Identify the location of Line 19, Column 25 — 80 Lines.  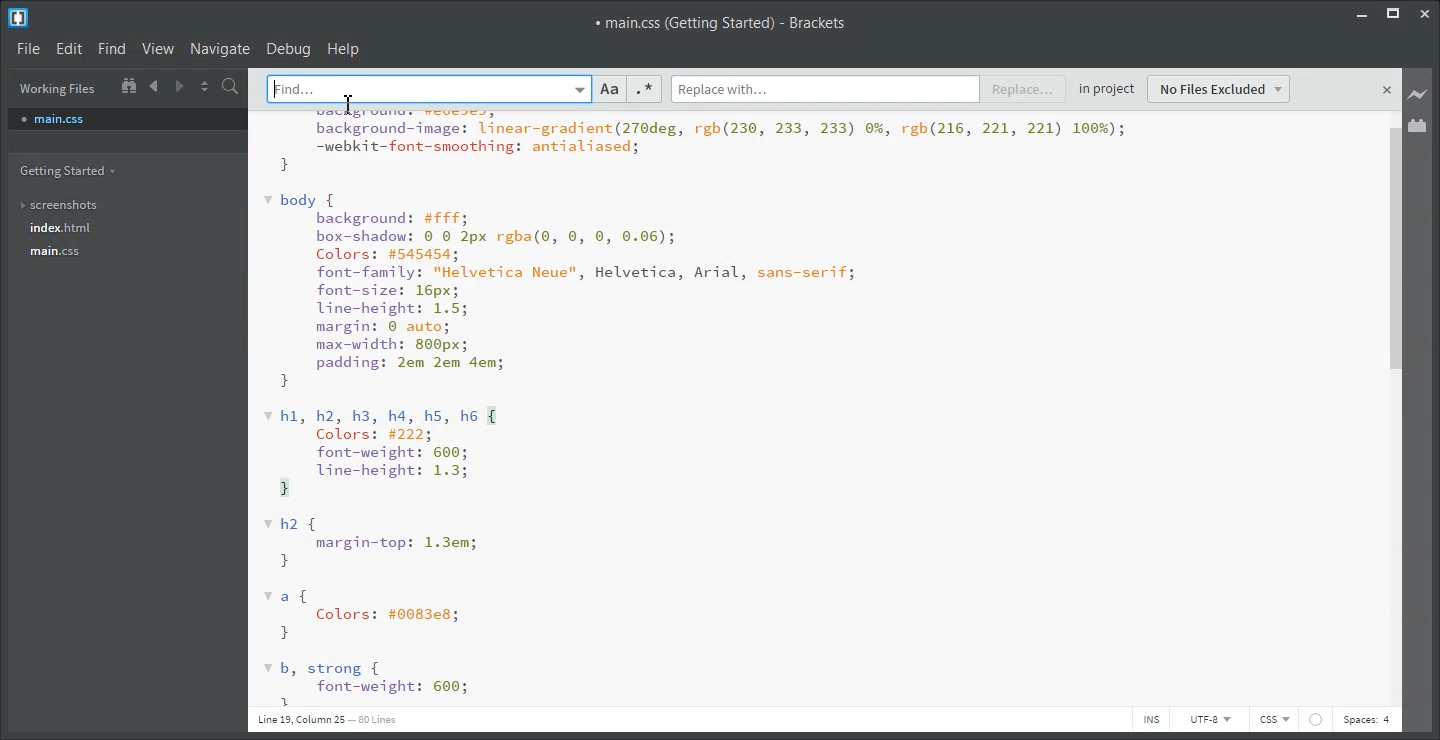
(326, 719).